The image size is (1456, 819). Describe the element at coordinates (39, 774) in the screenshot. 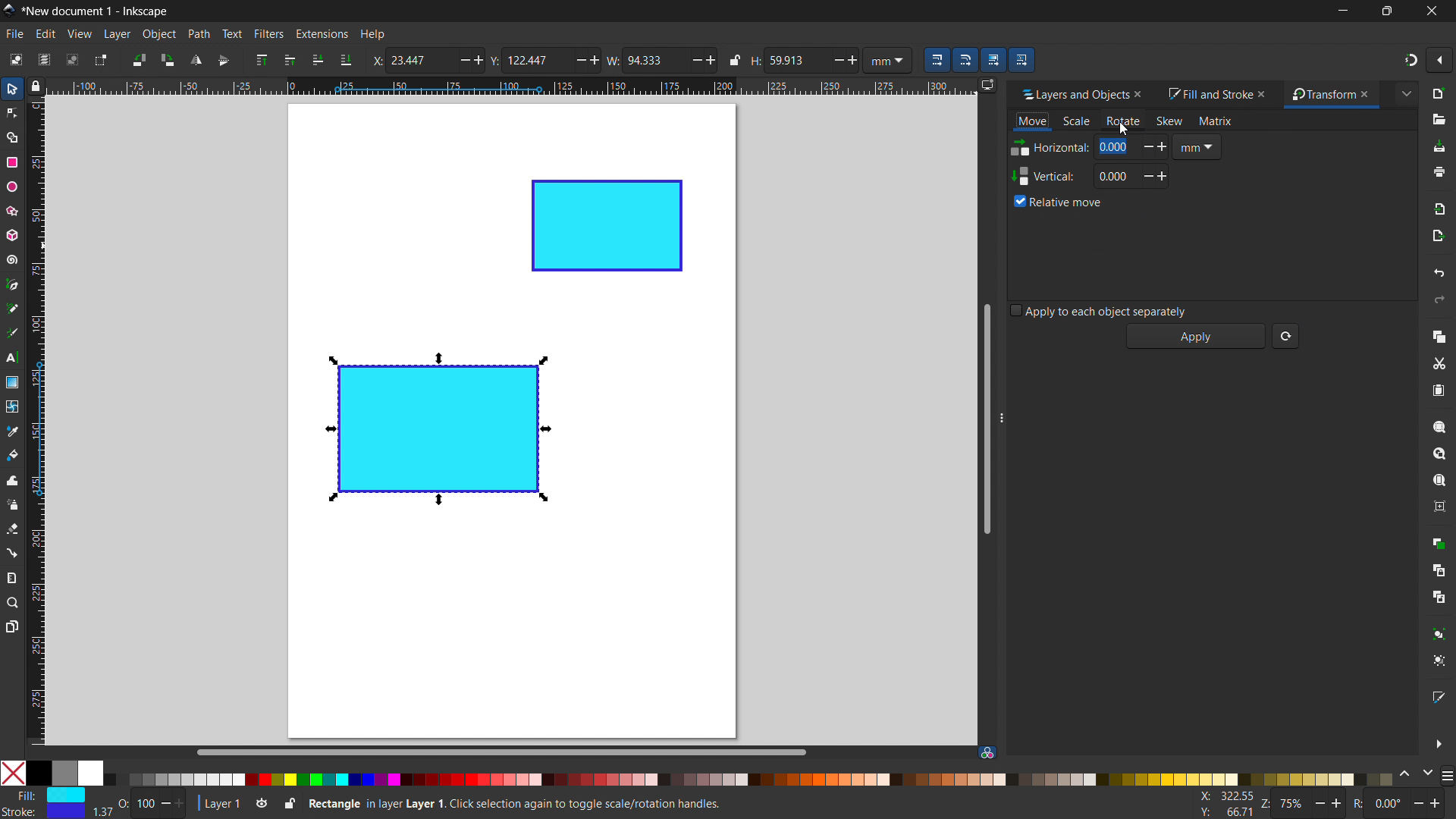

I see `Solid Black` at that location.